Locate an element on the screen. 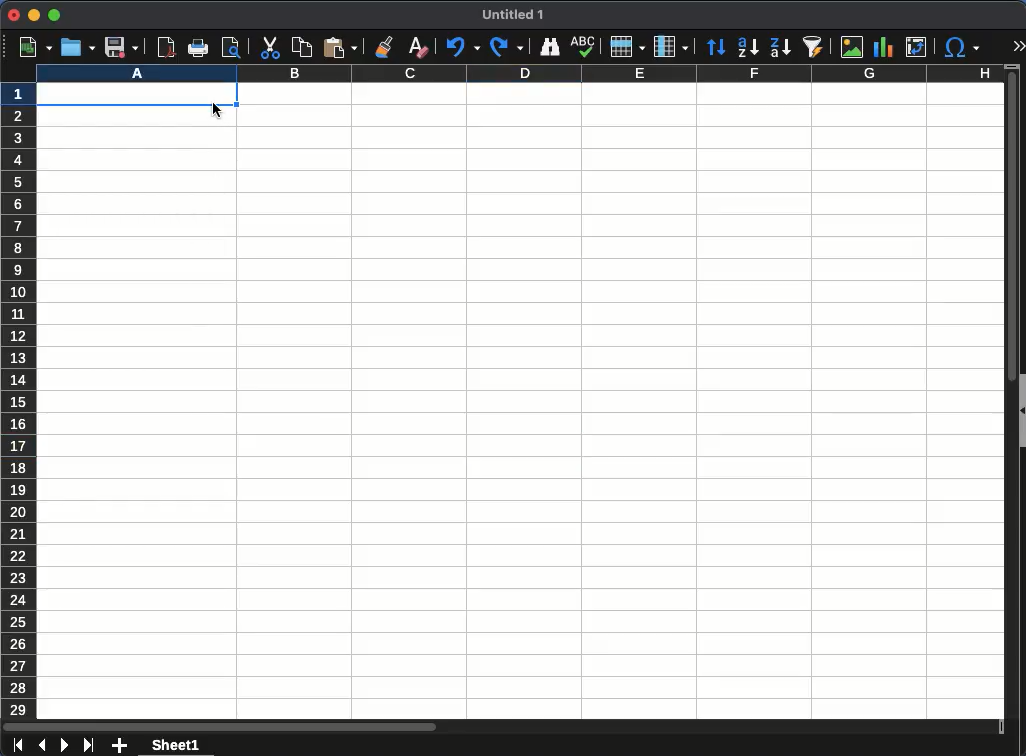 Image resolution: width=1026 pixels, height=756 pixels. maximize is located at coordinates (55, 17).